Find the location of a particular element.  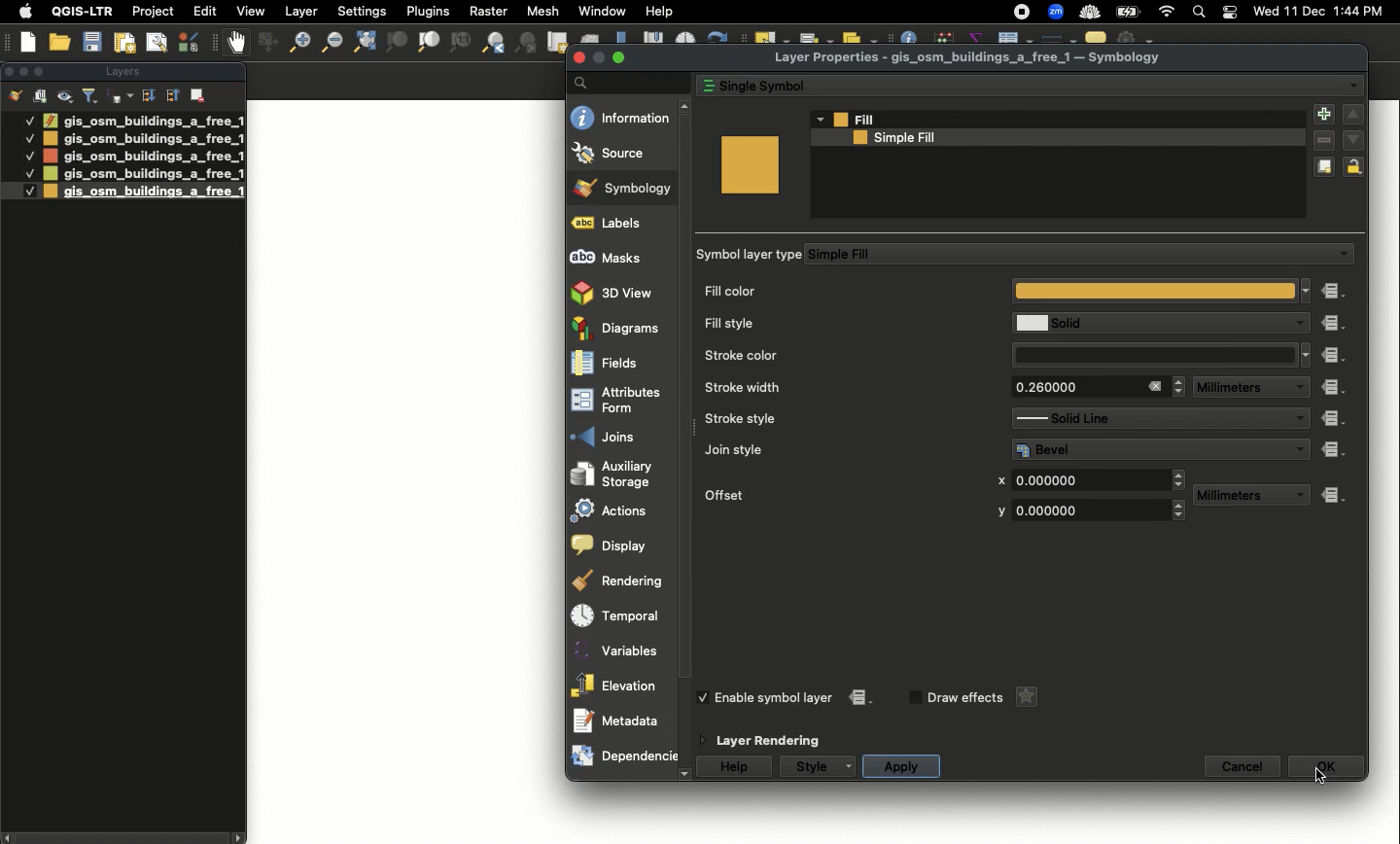

Checked is located at coordinates (27, 173).